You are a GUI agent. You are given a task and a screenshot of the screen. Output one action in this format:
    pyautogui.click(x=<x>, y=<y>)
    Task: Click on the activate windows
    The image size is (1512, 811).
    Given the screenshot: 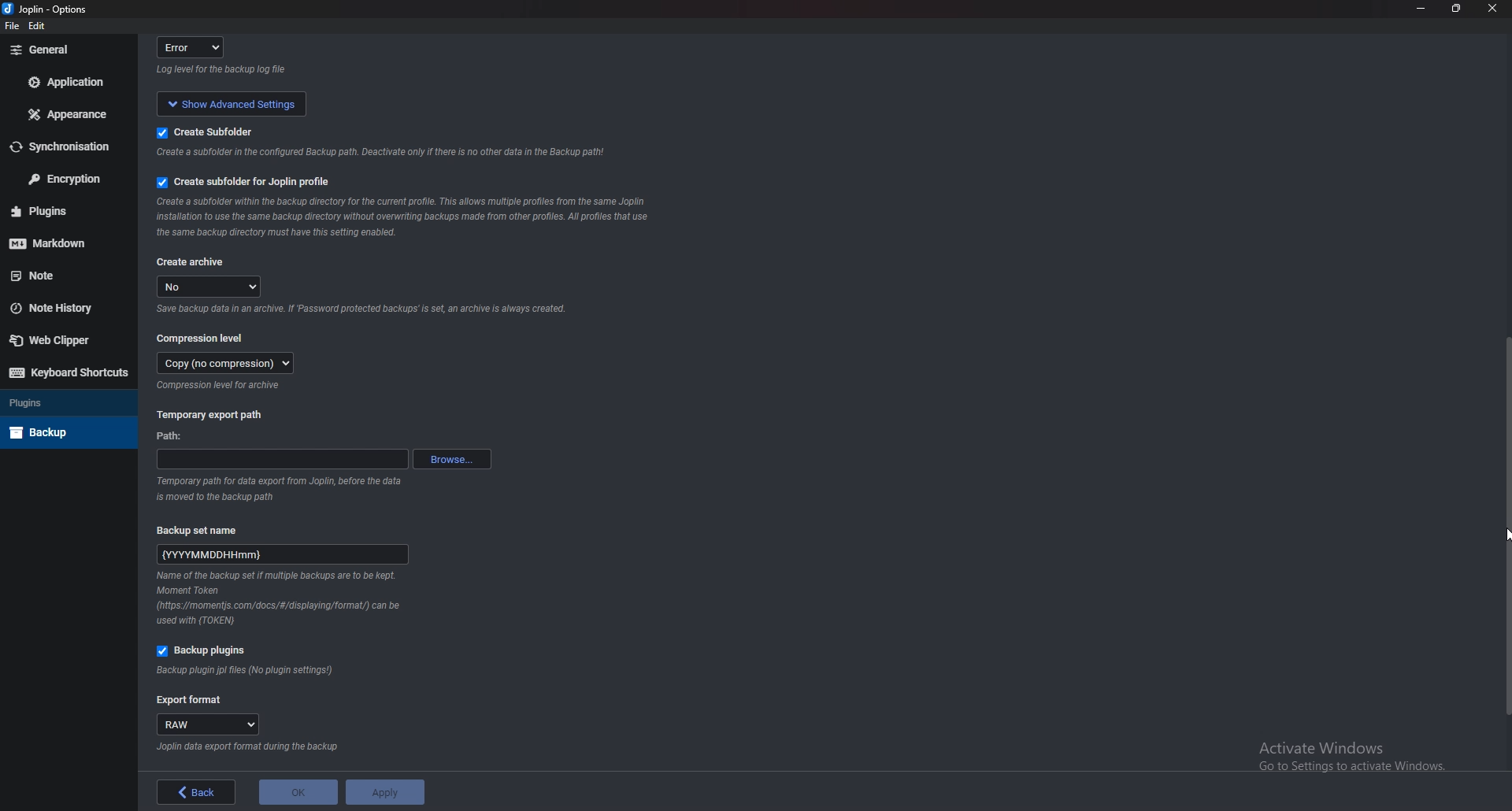 What is the action you would take?
    pyautogui.click(x=1360, y=753)
    